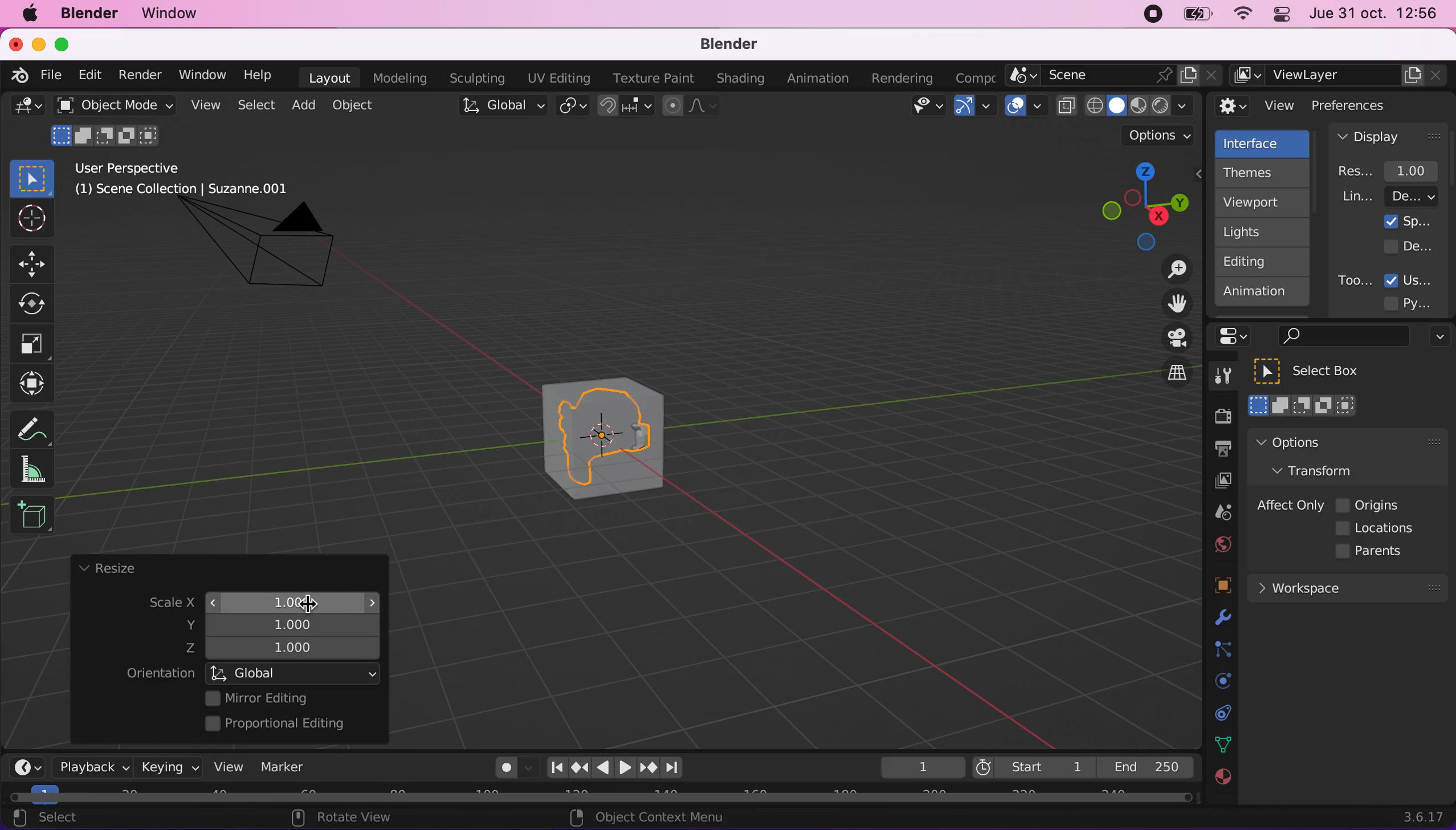 This screenshot has height=830, width=1456. I want to click on search, so click(1341, 337).